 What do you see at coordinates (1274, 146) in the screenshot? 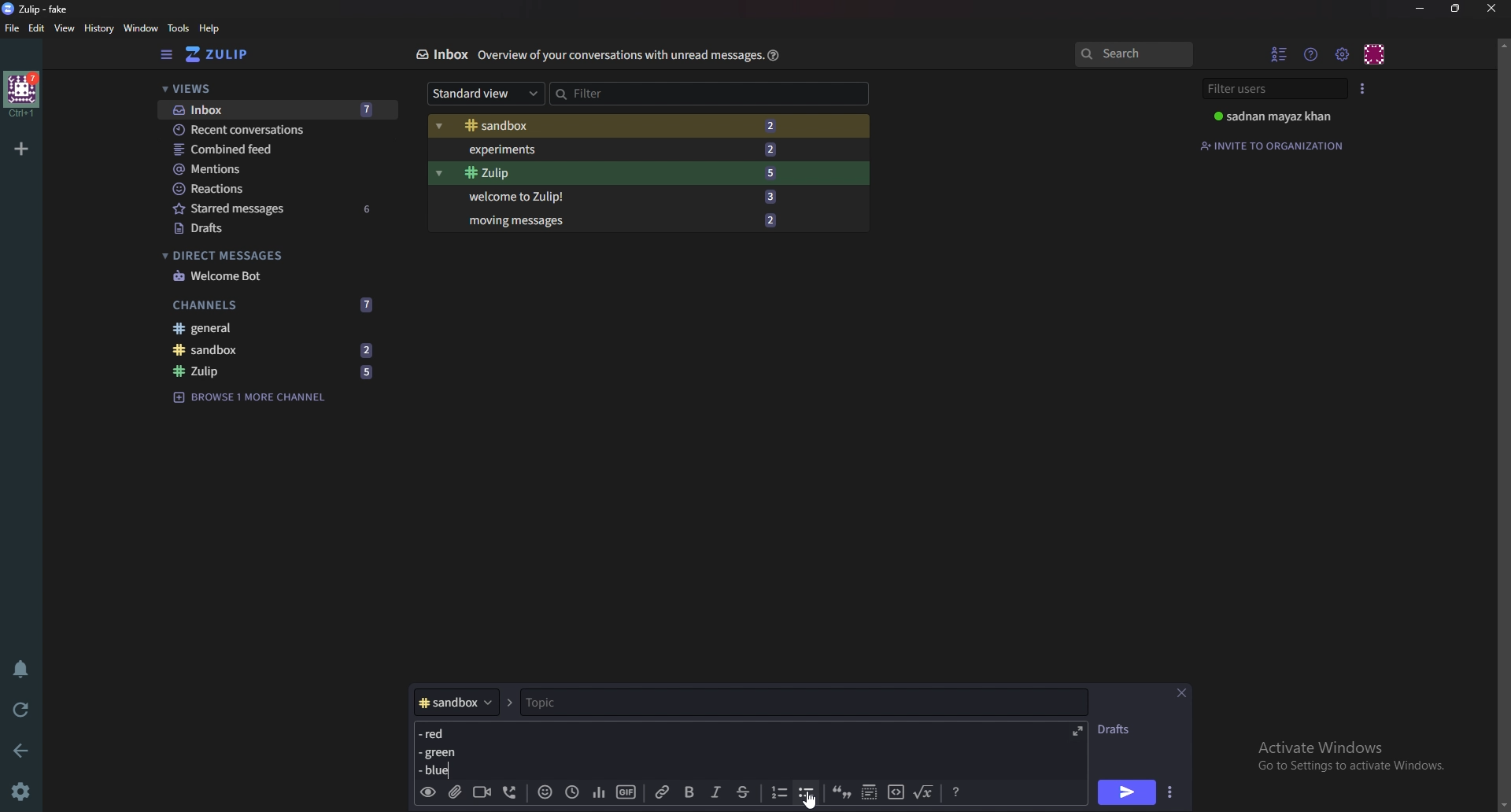
I see `Invite to organization` at bounding box center [1274, 146].